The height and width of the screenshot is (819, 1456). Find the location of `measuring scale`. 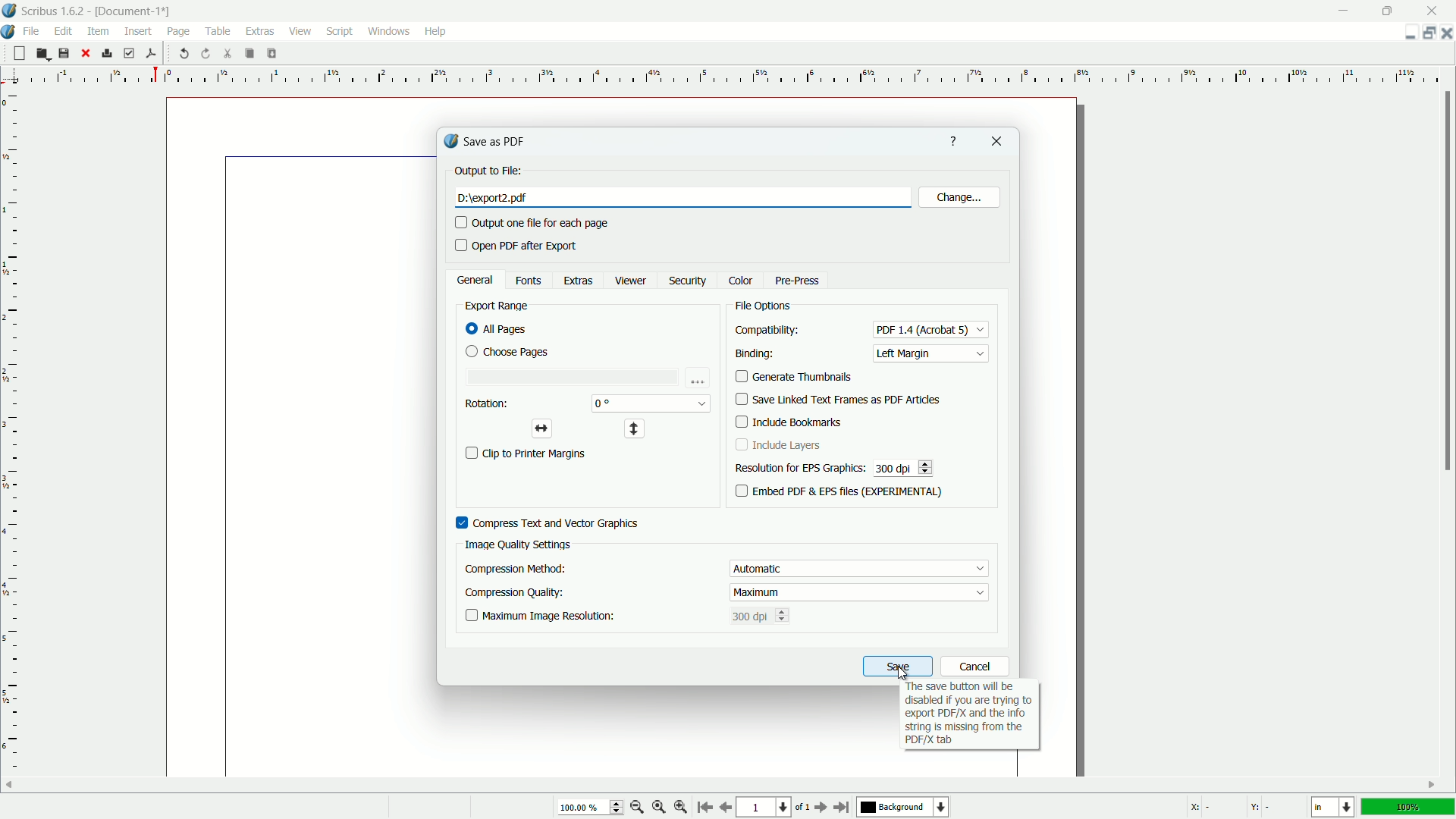

measuring scale is located at coordinates (745, 75).